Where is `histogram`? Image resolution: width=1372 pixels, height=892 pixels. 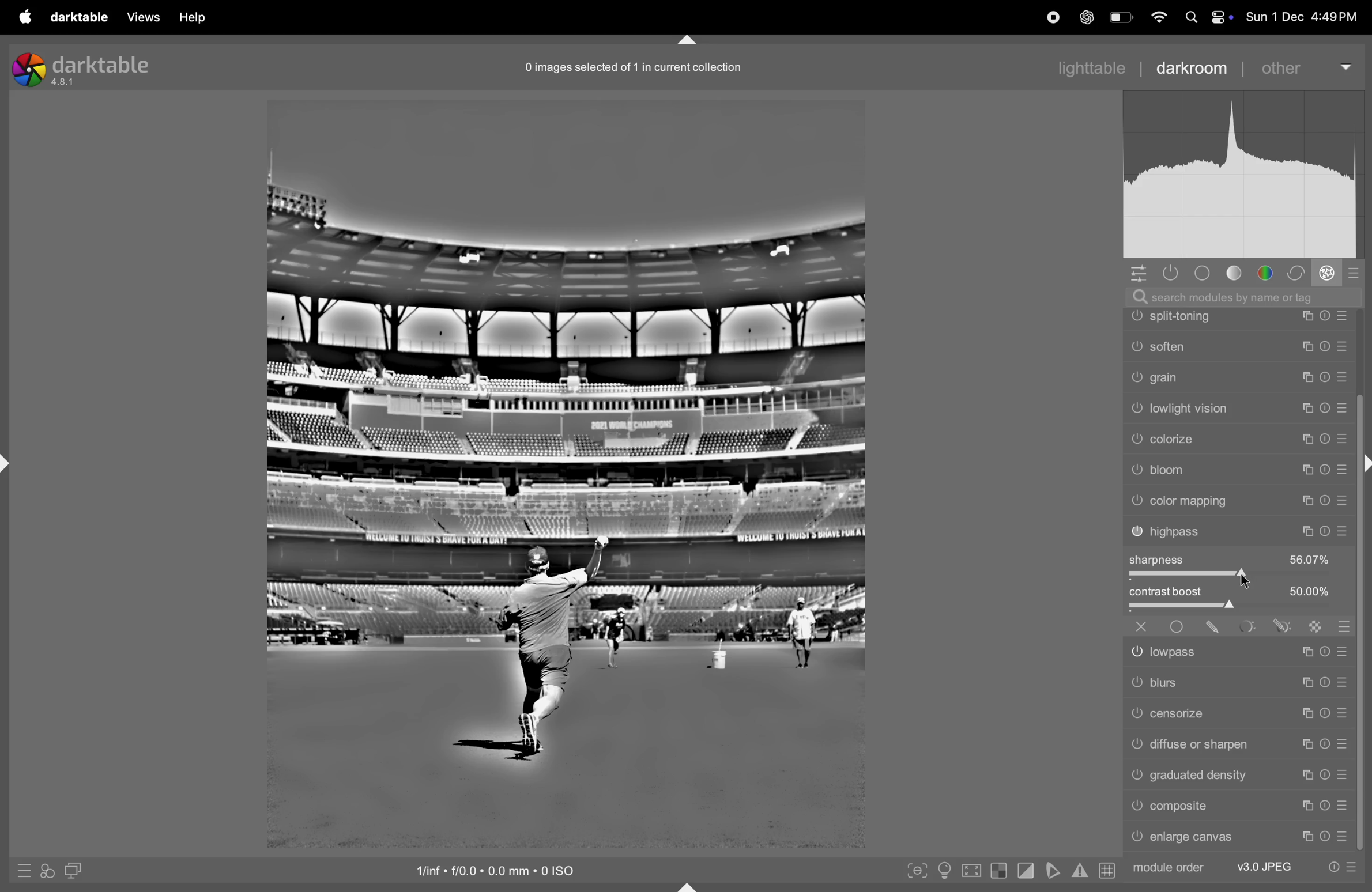 histogram is located at coordinates (1249, 179).